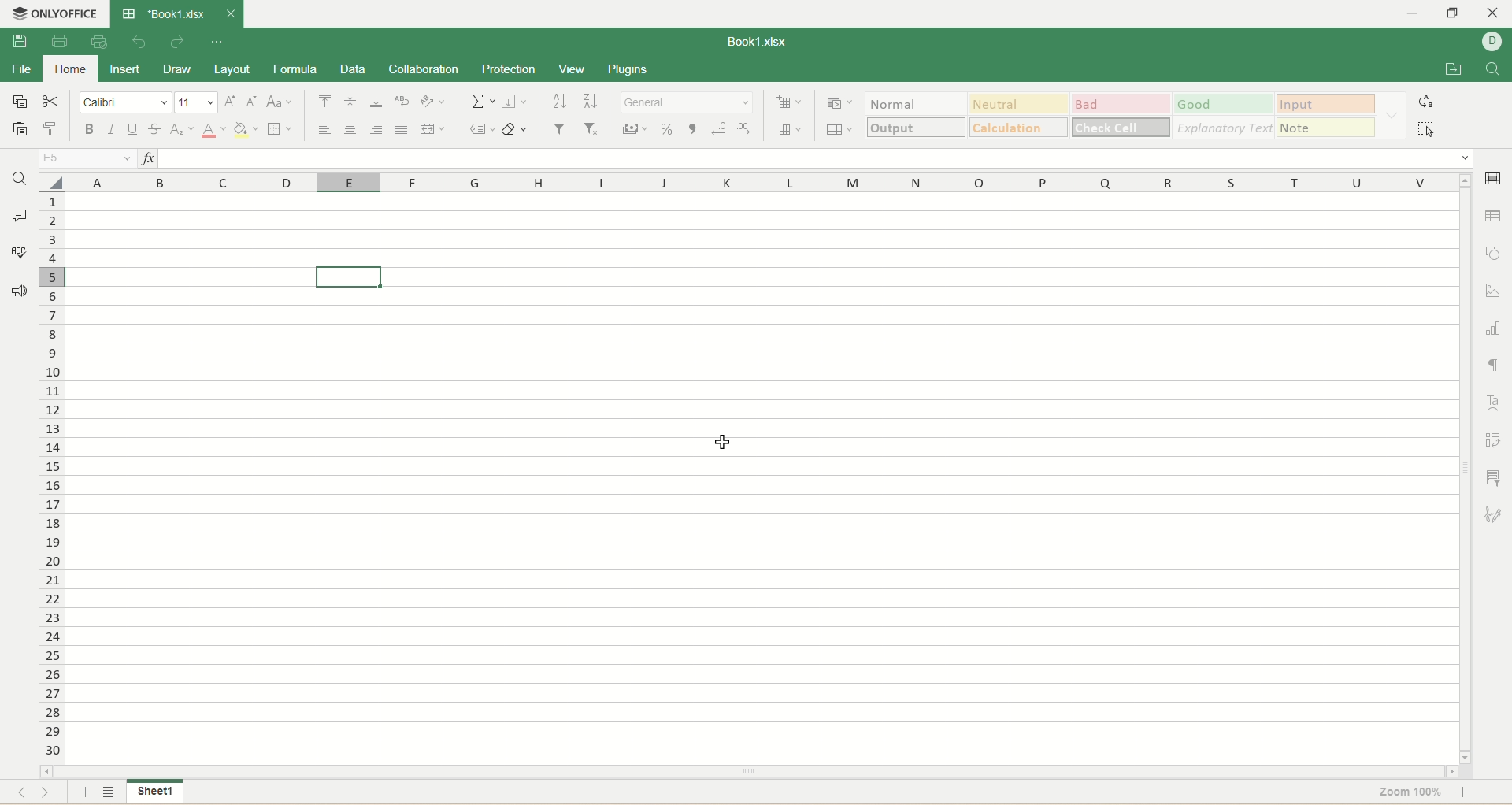 The height and width of the screenshot is (805, 1512). What do you see at coordinates (112, 130) in the screenshot?
I see `italic` at bounding box center [112, 130].